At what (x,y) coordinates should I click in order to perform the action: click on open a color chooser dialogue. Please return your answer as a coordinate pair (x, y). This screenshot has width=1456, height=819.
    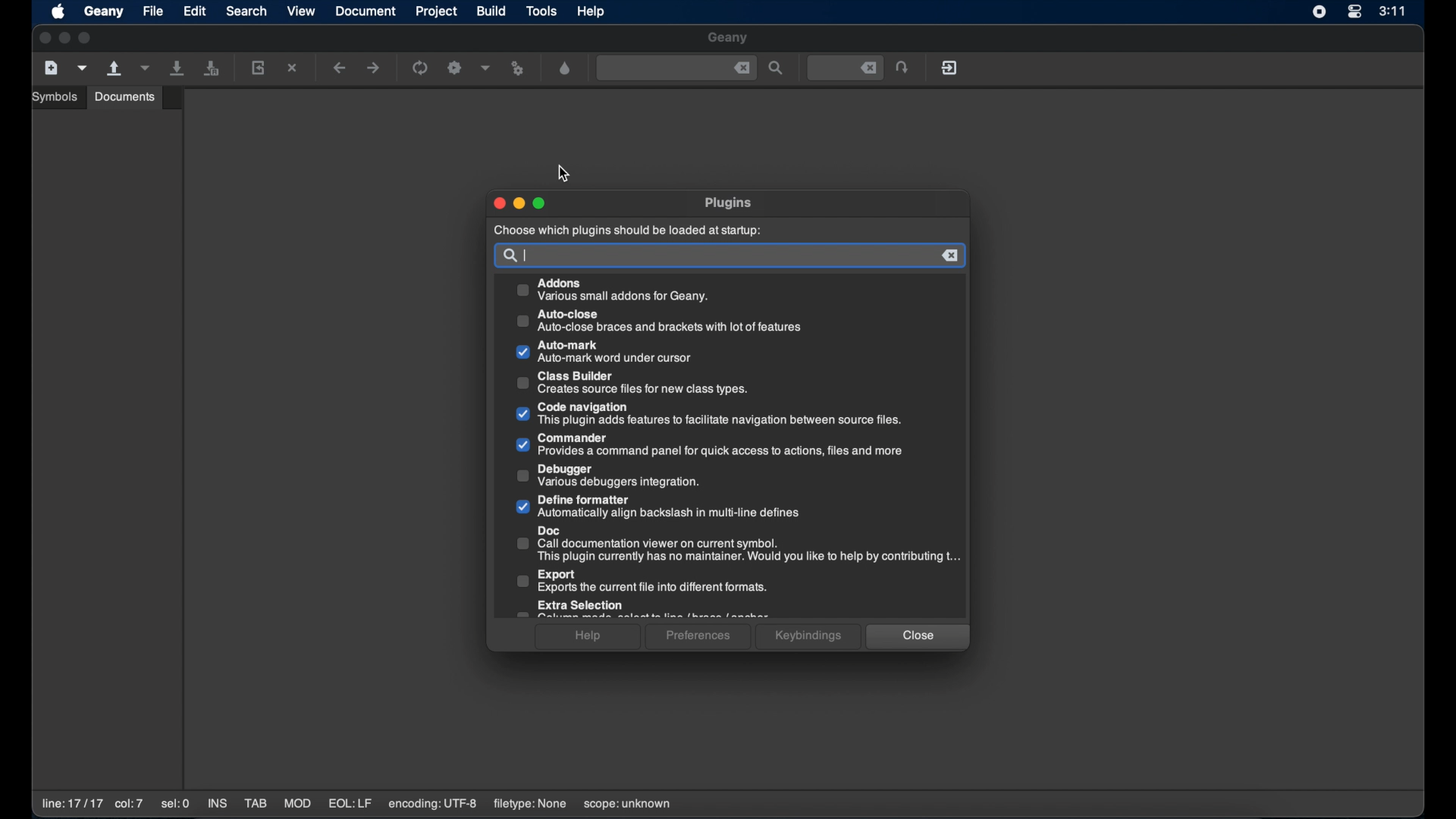
    Looking at the image, I should click on (566, 69).